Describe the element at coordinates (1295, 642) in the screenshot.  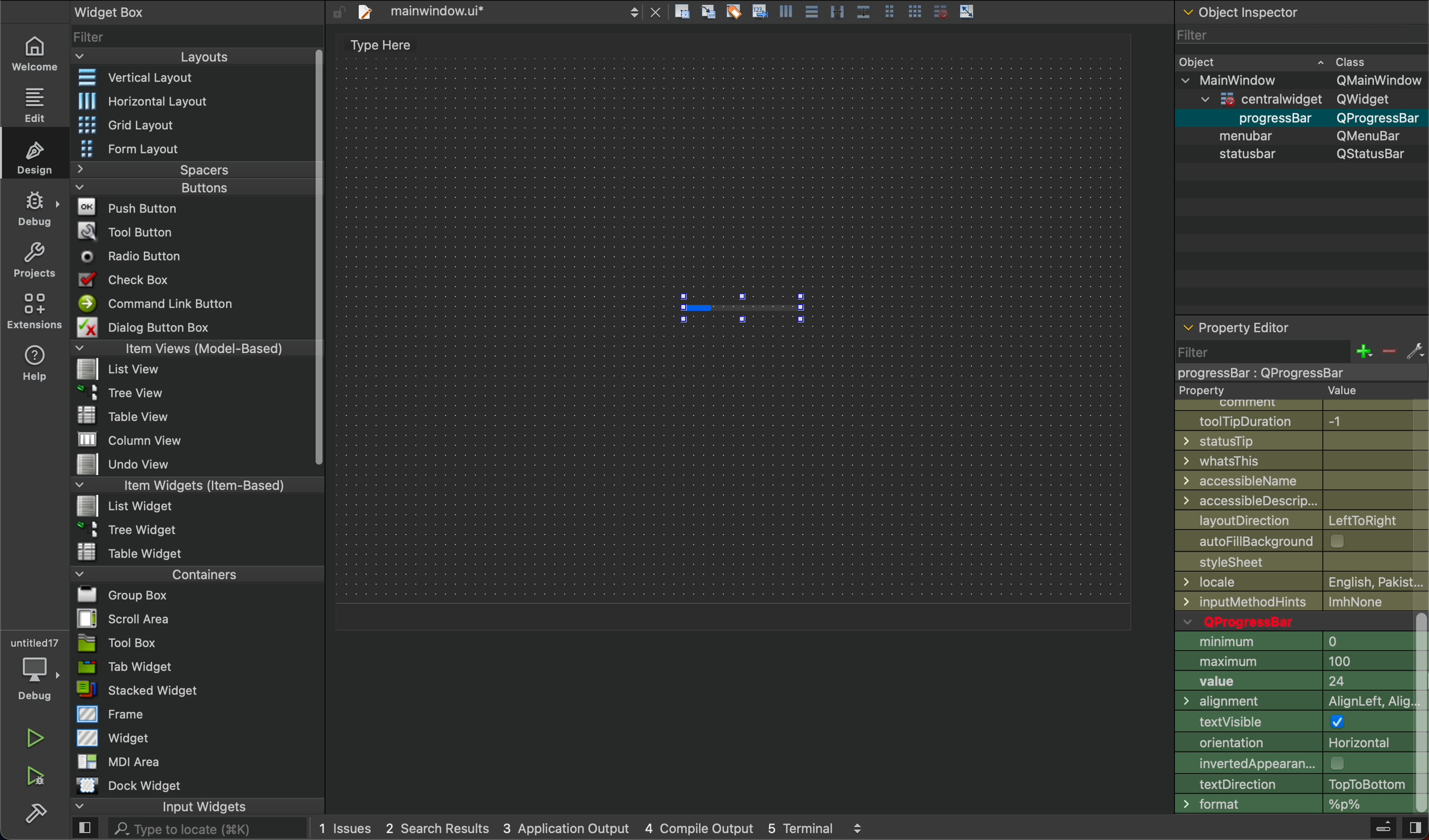
I see `Minimum` at that location.